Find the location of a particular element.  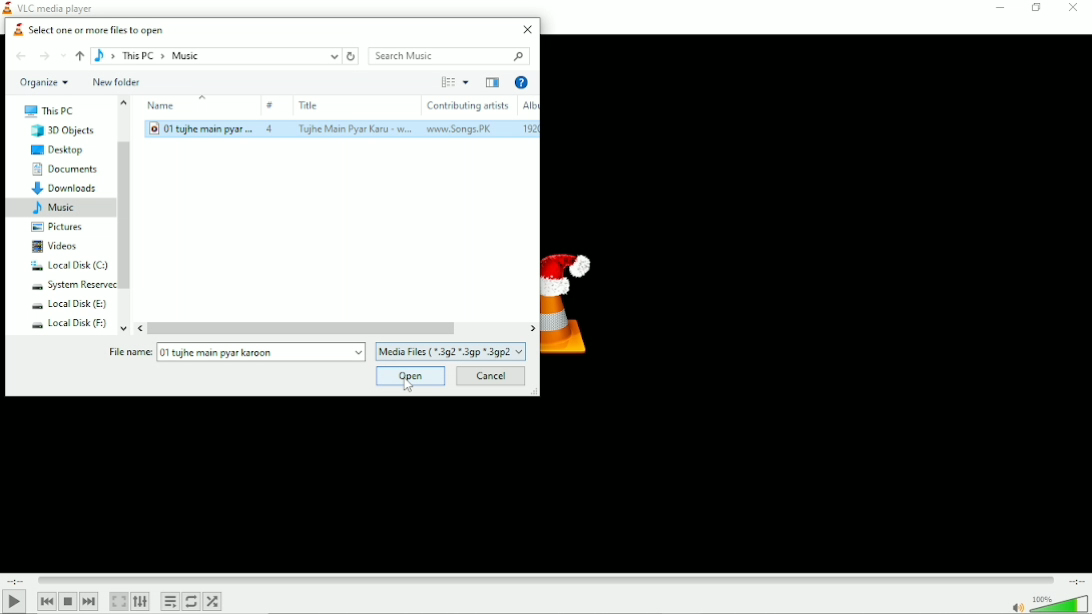

Search music is located at coordinates (448, 56).